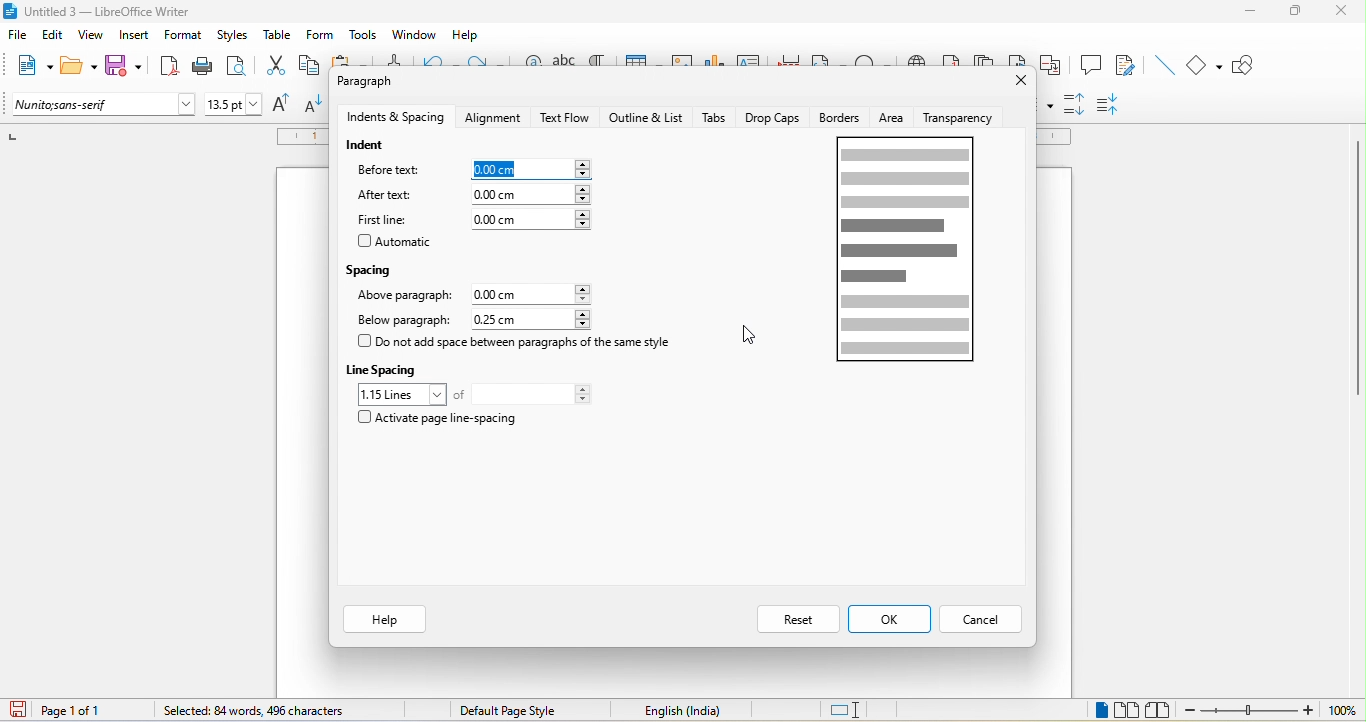  Describe the element at coordinates (405, 322) in the screenshot. I see `below paragraph` at that location.